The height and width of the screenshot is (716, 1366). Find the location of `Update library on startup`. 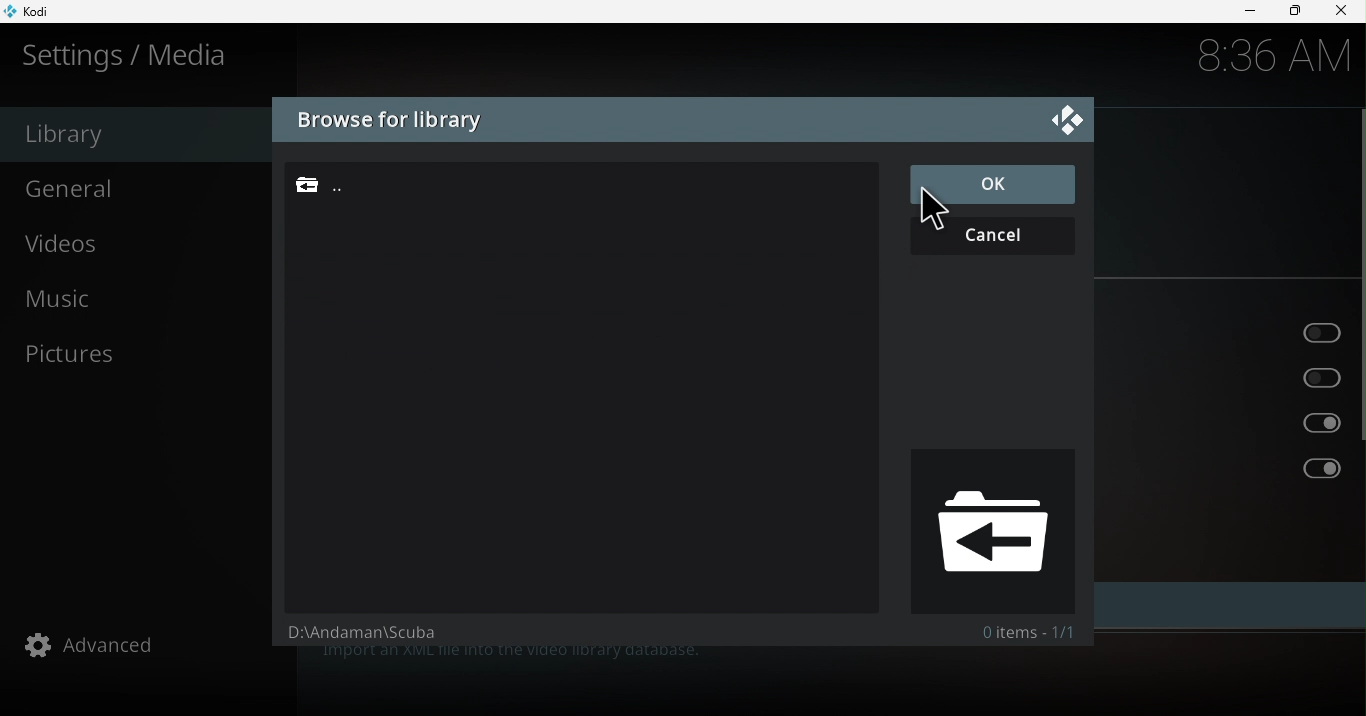

Update library on startup is located at coordinates (1226, 330).